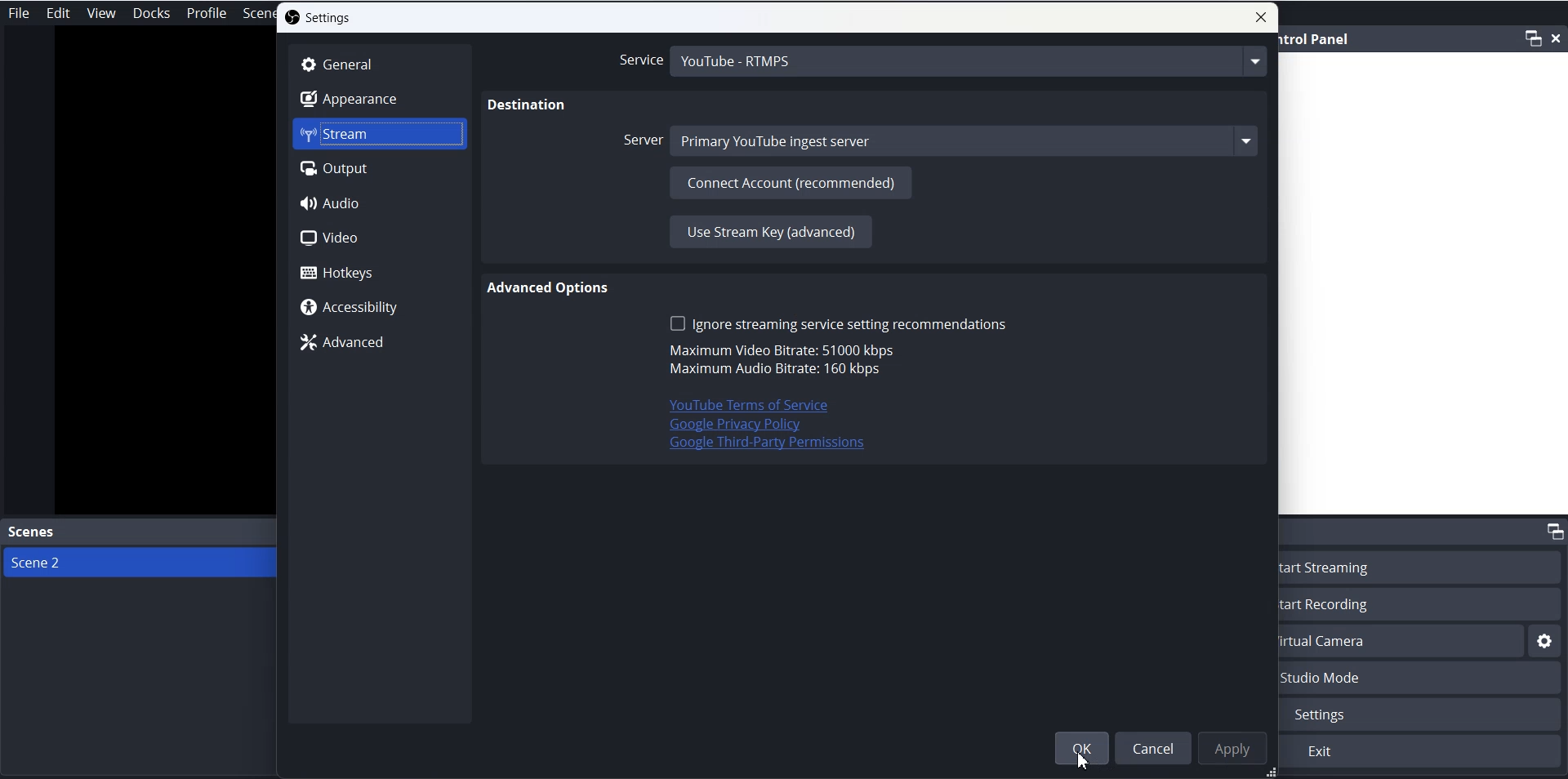 The width and height of the screenshot is (1568, 779). I want to click on Edit, so click(59, 13).